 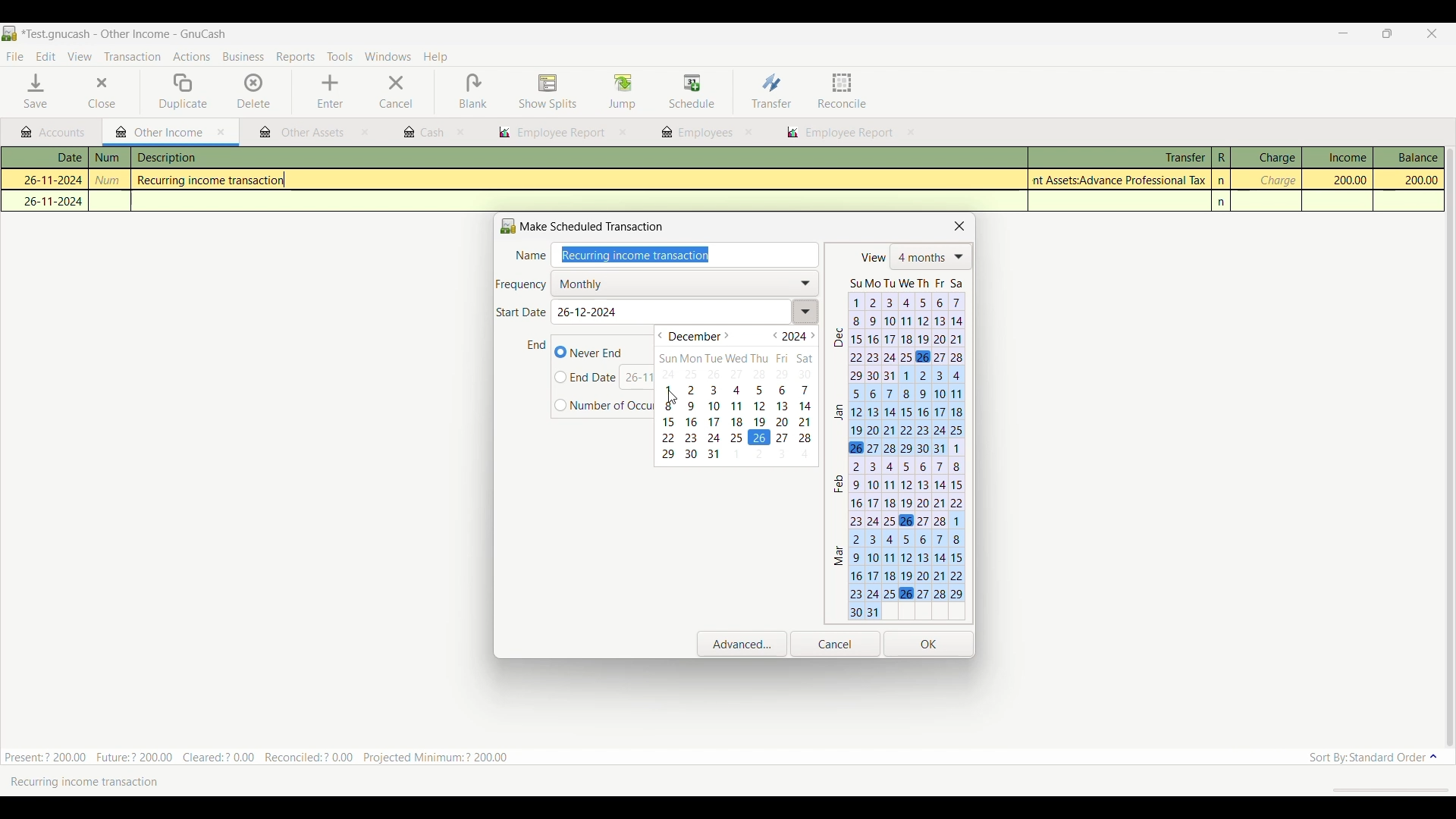 What do you see at coordinates (586, 378) in the screenshot?
I see `Input specific end date` at bounding box center [586, 378].